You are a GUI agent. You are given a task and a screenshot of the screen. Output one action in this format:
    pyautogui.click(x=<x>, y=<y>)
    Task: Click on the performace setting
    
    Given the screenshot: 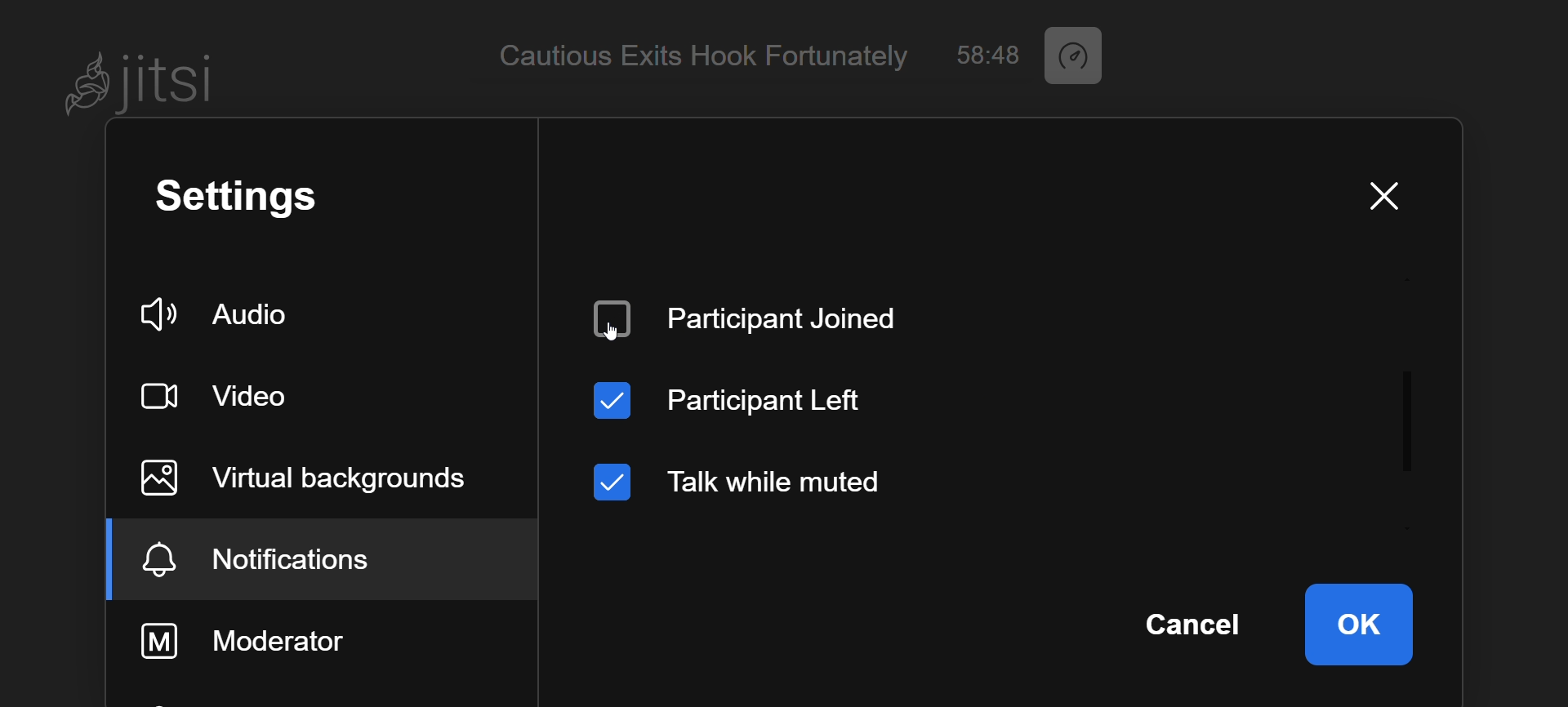 What is the action you would take?
    pyautogui.click(x=1080, y=56)
    